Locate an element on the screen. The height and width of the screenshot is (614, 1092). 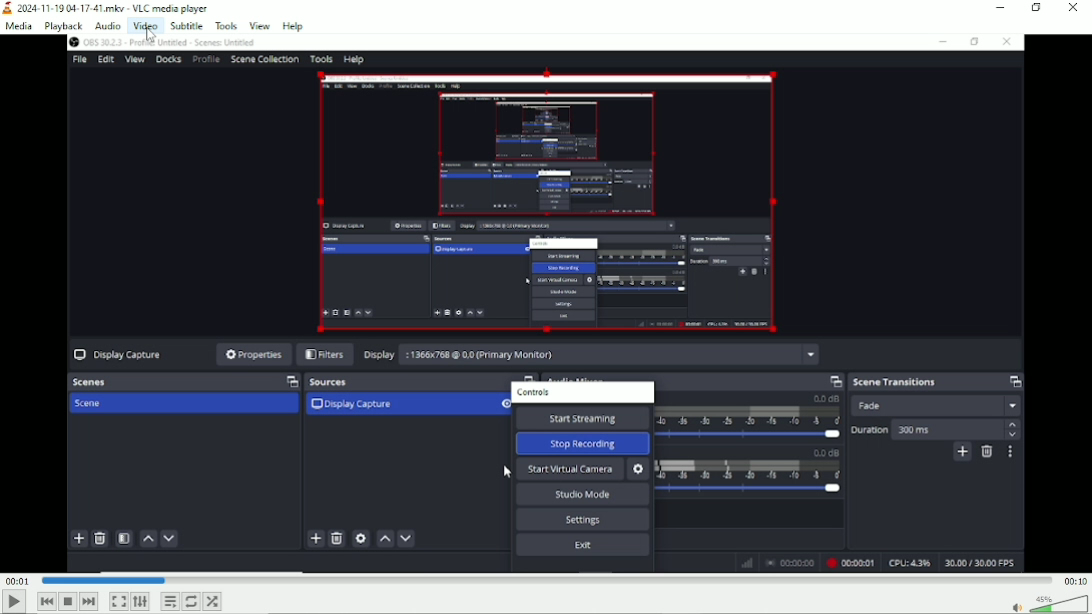
Audio is located at coordinates (108, 26).